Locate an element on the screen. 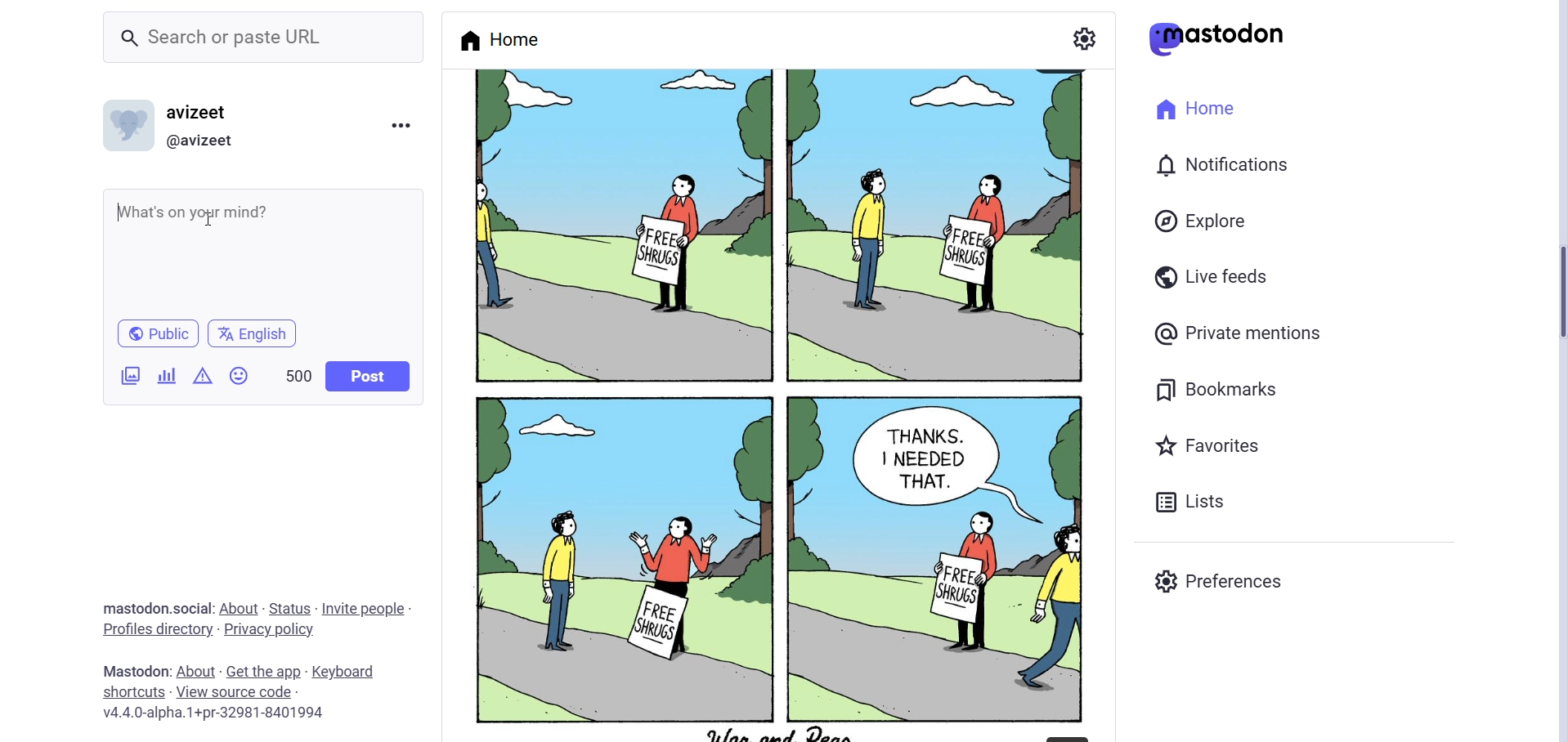  Version is located at coordinates (213, 714).